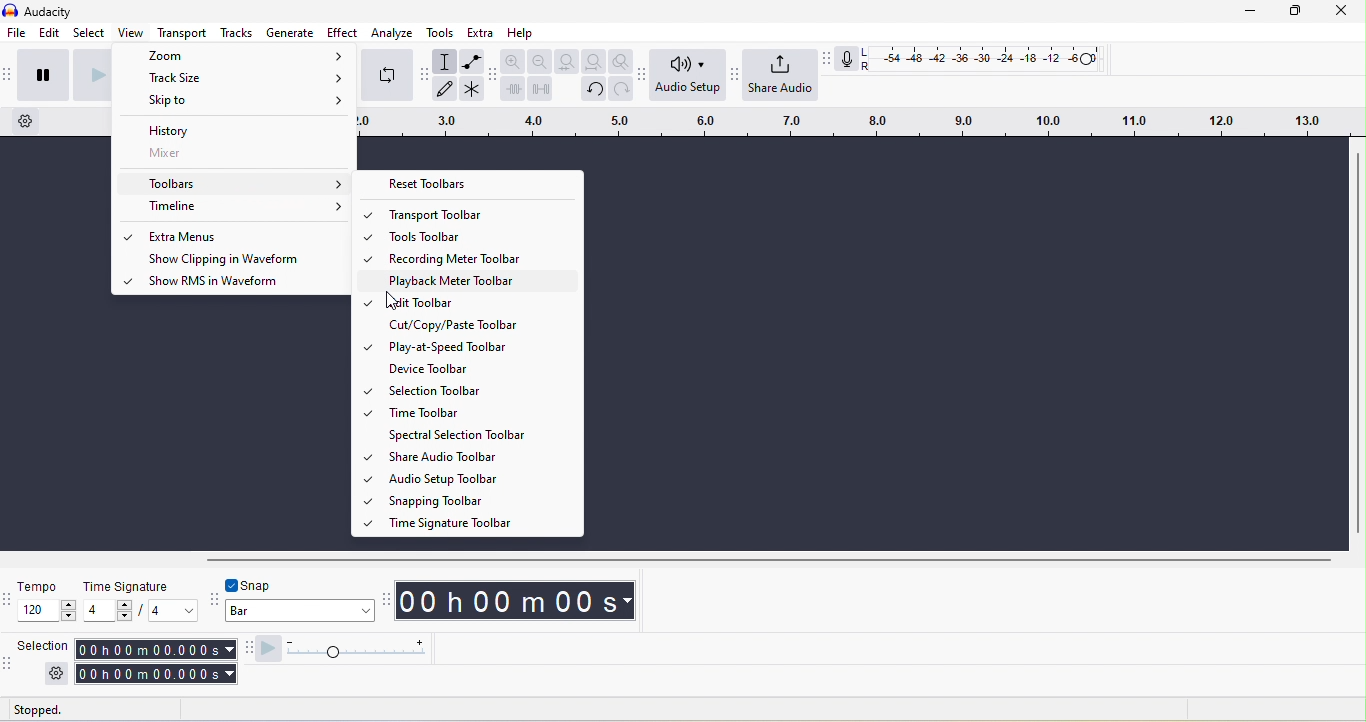  What do you see at coordinates (540, 89) in the screenshot?
I see `silence audio selection` at bounding box center [540, 89].